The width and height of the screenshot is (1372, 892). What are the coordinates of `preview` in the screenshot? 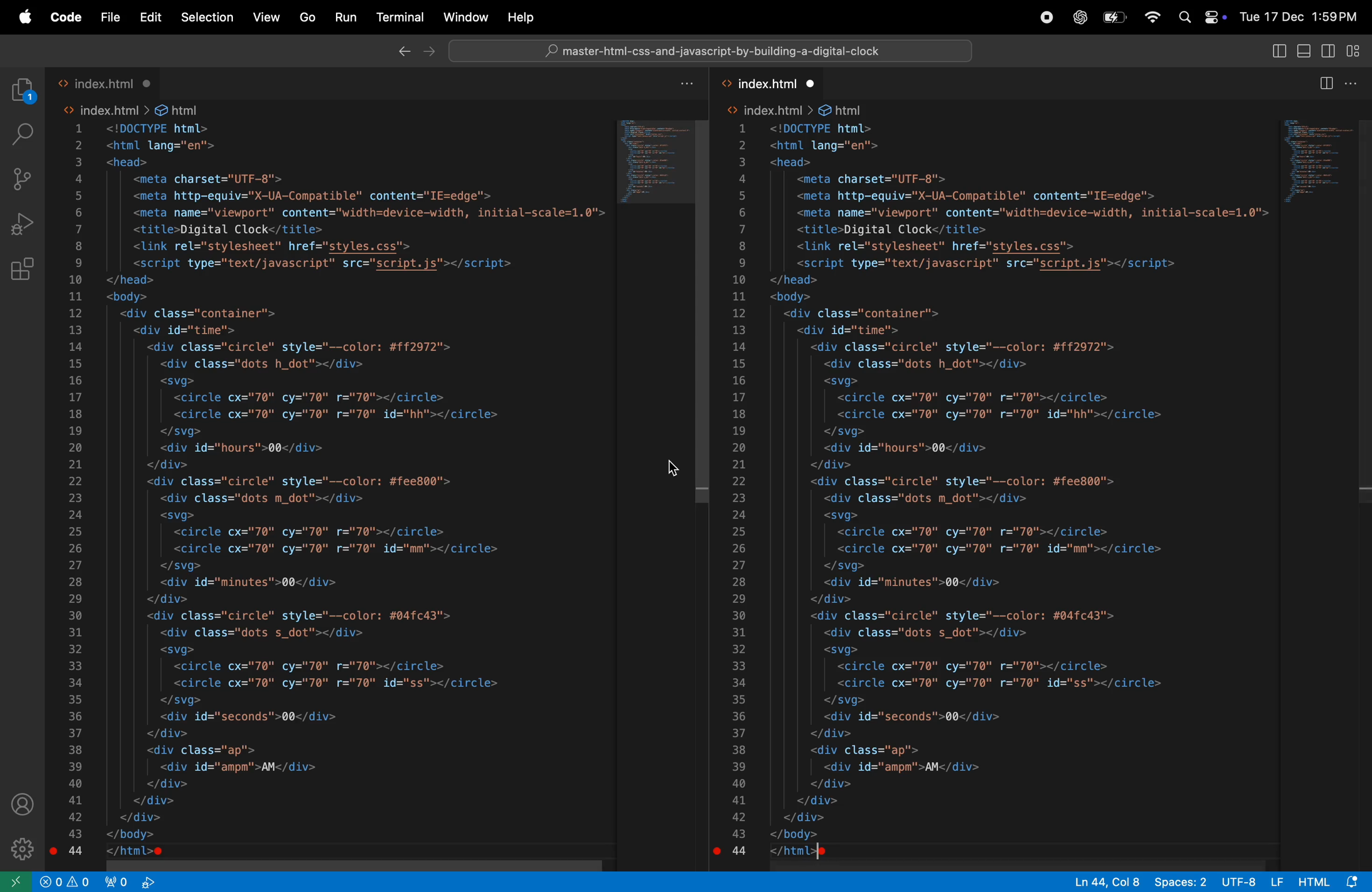 It's located at (1318, 158).